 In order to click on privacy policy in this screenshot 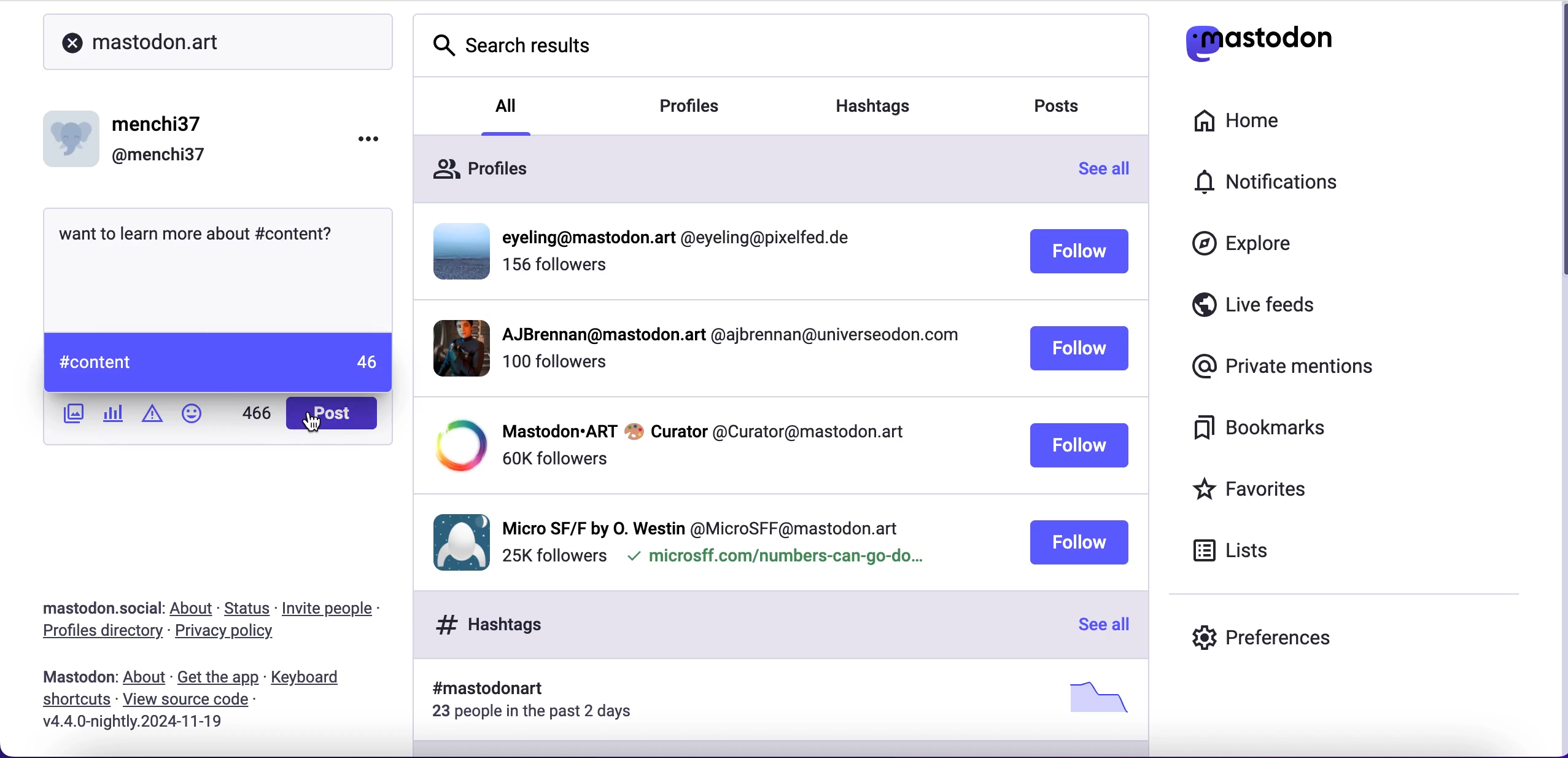, I will do `click(230, 634)`.